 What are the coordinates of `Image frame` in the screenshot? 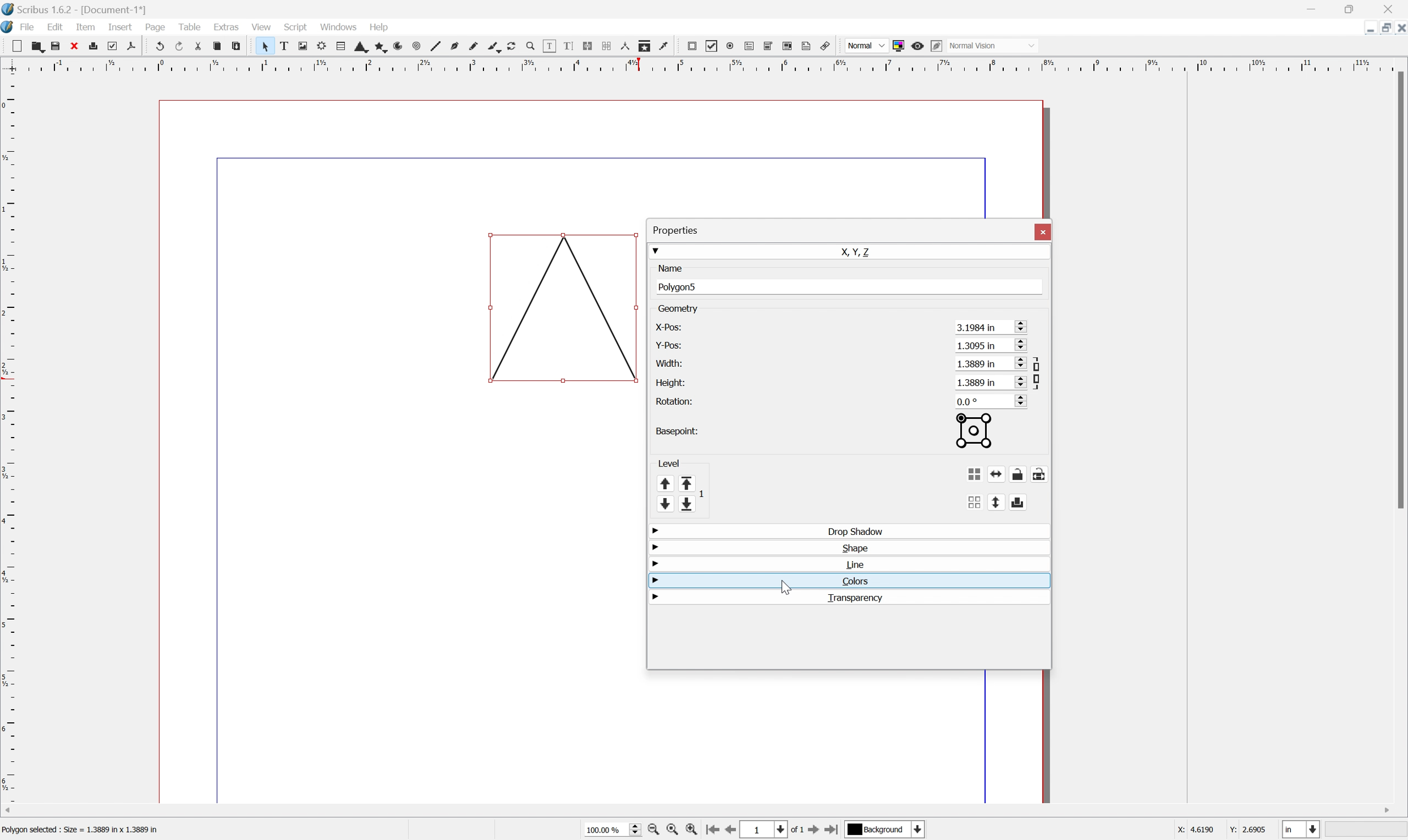 It's located at (303, 45).